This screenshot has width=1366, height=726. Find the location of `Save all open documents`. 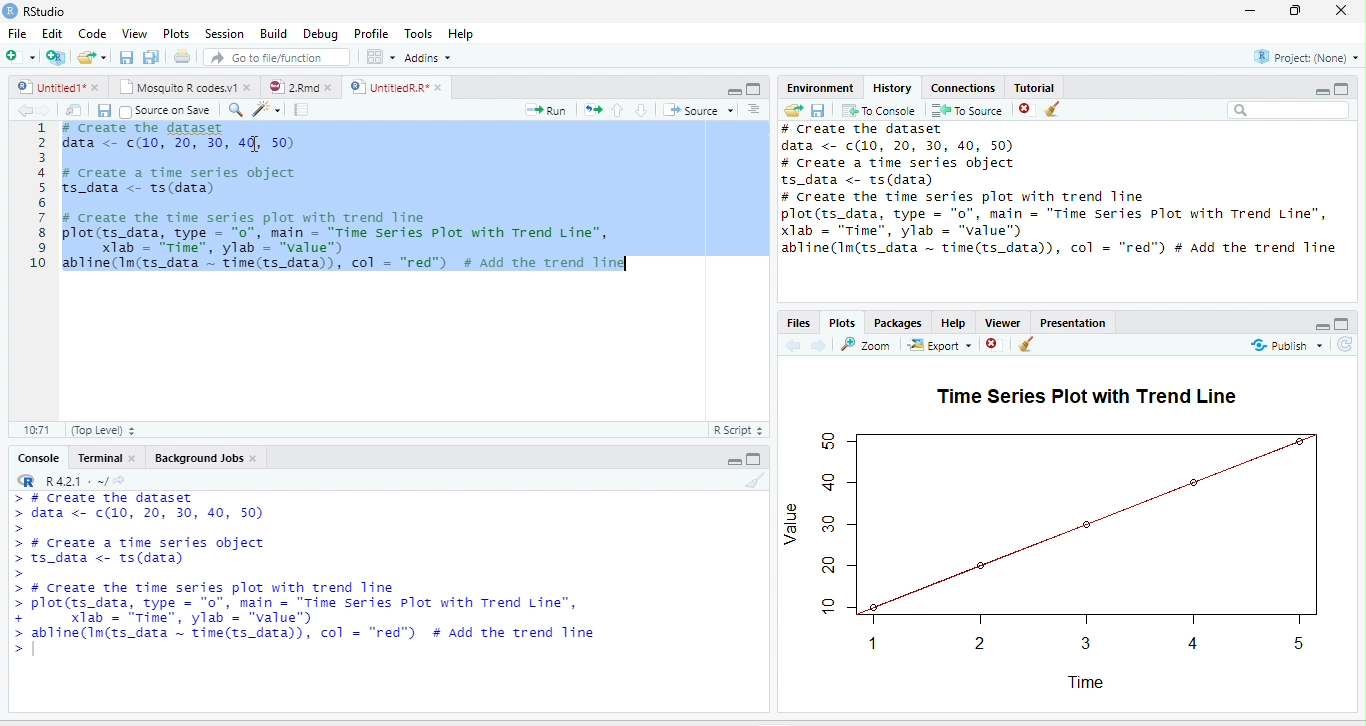

Save all open documents is located at coordinates (151, 56).